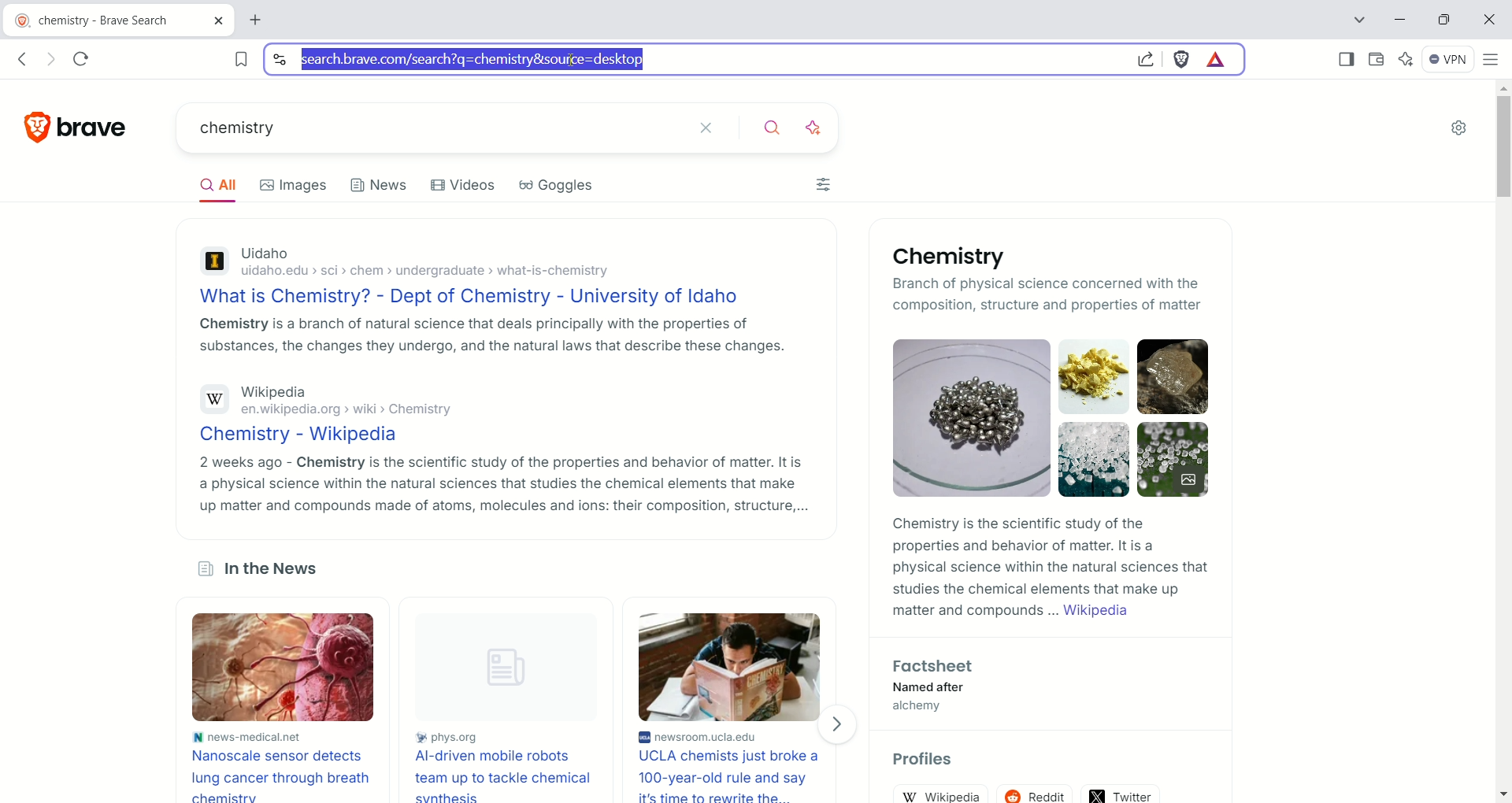 This screenshot has height=803, width=1512. What do you see at coordinates (213, 264) in the screenshot?
I see `uidaho logo` at bounding box center [213, 264].